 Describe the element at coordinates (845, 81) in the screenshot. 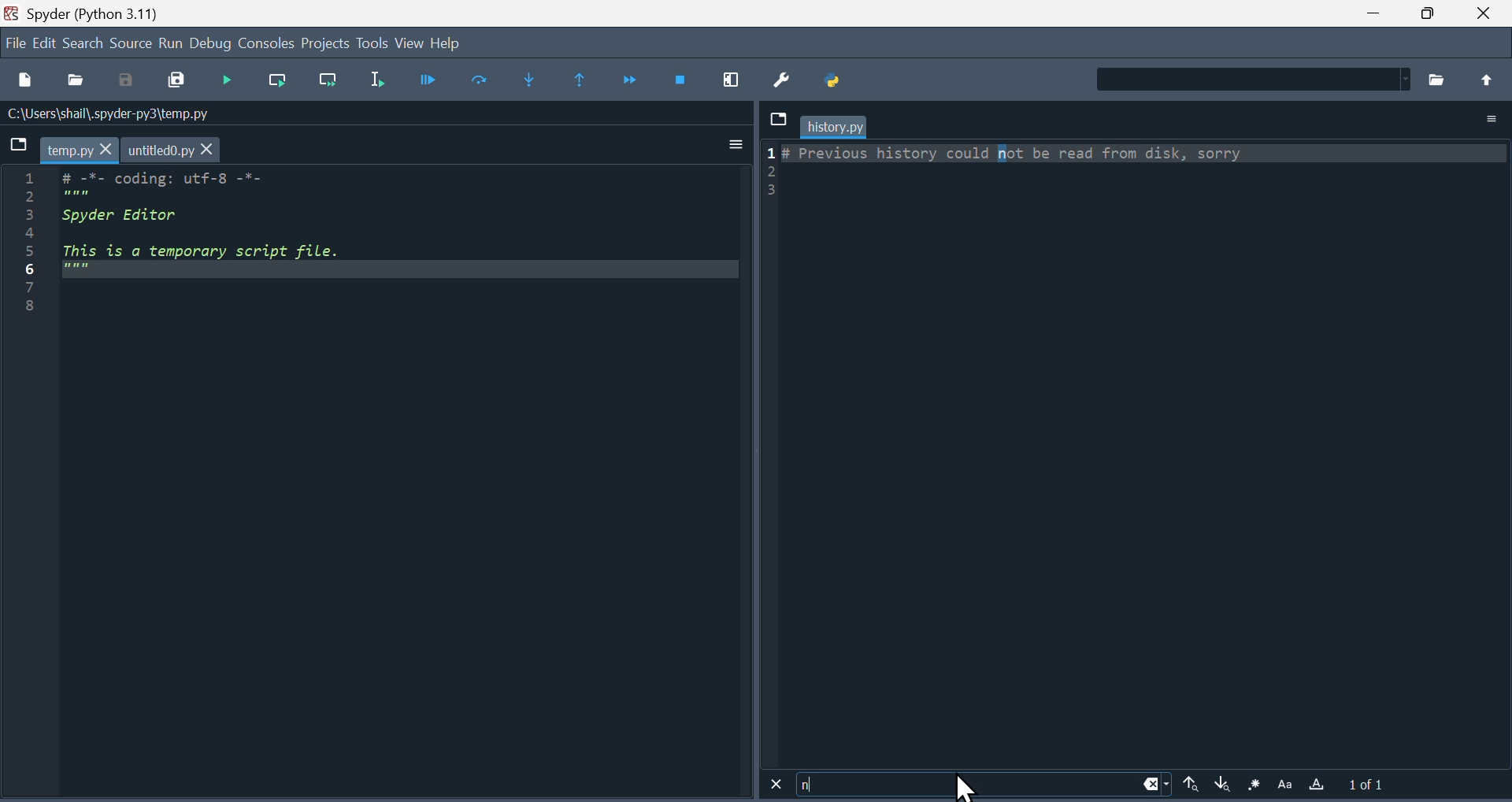

I see `Pythonpath manager` at that location.